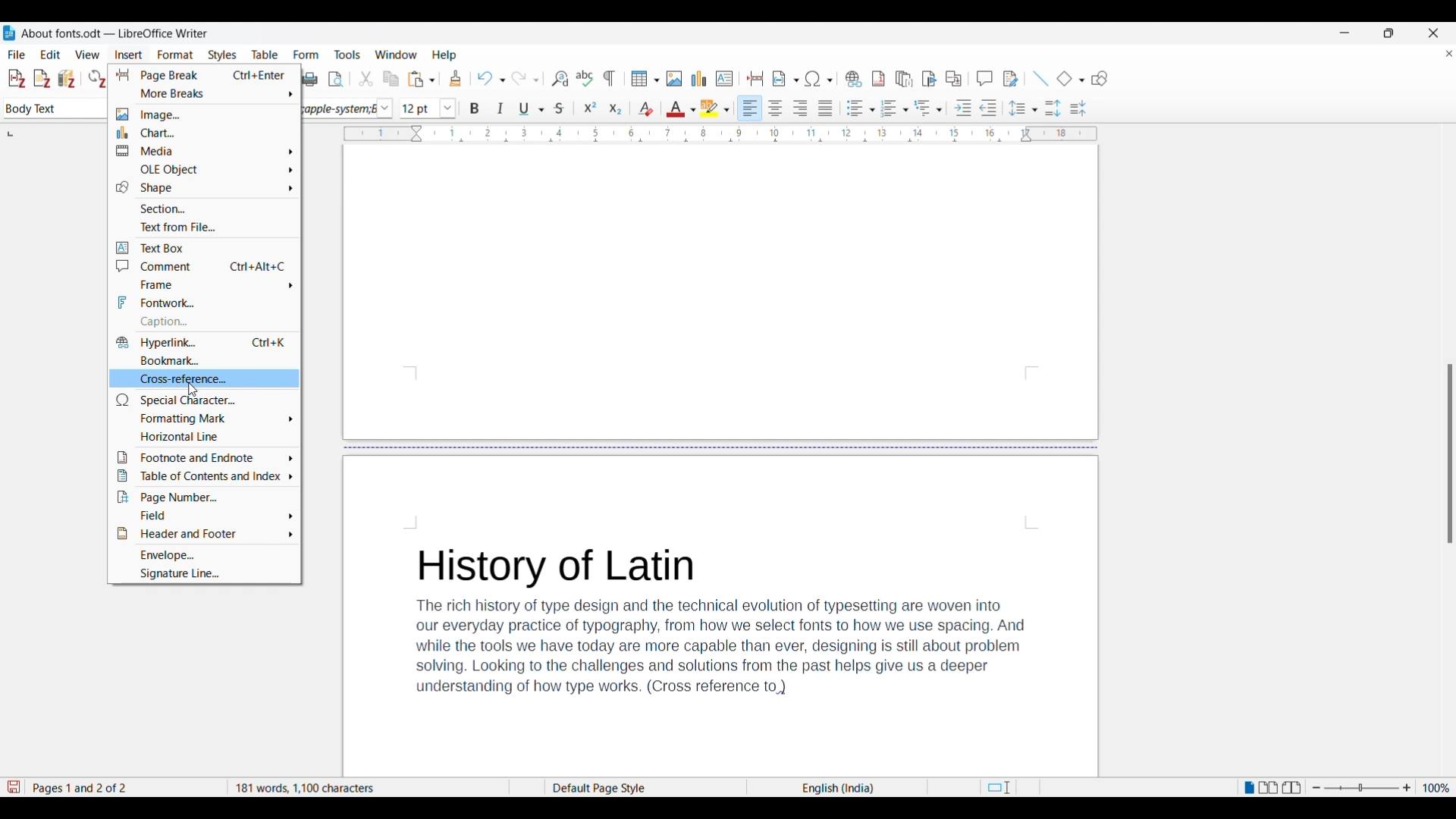 This screenshot has width=1456, height=819. Describe the element at coordinates (877, 79) in the screenshot. I see `Insert footnote` at that location.